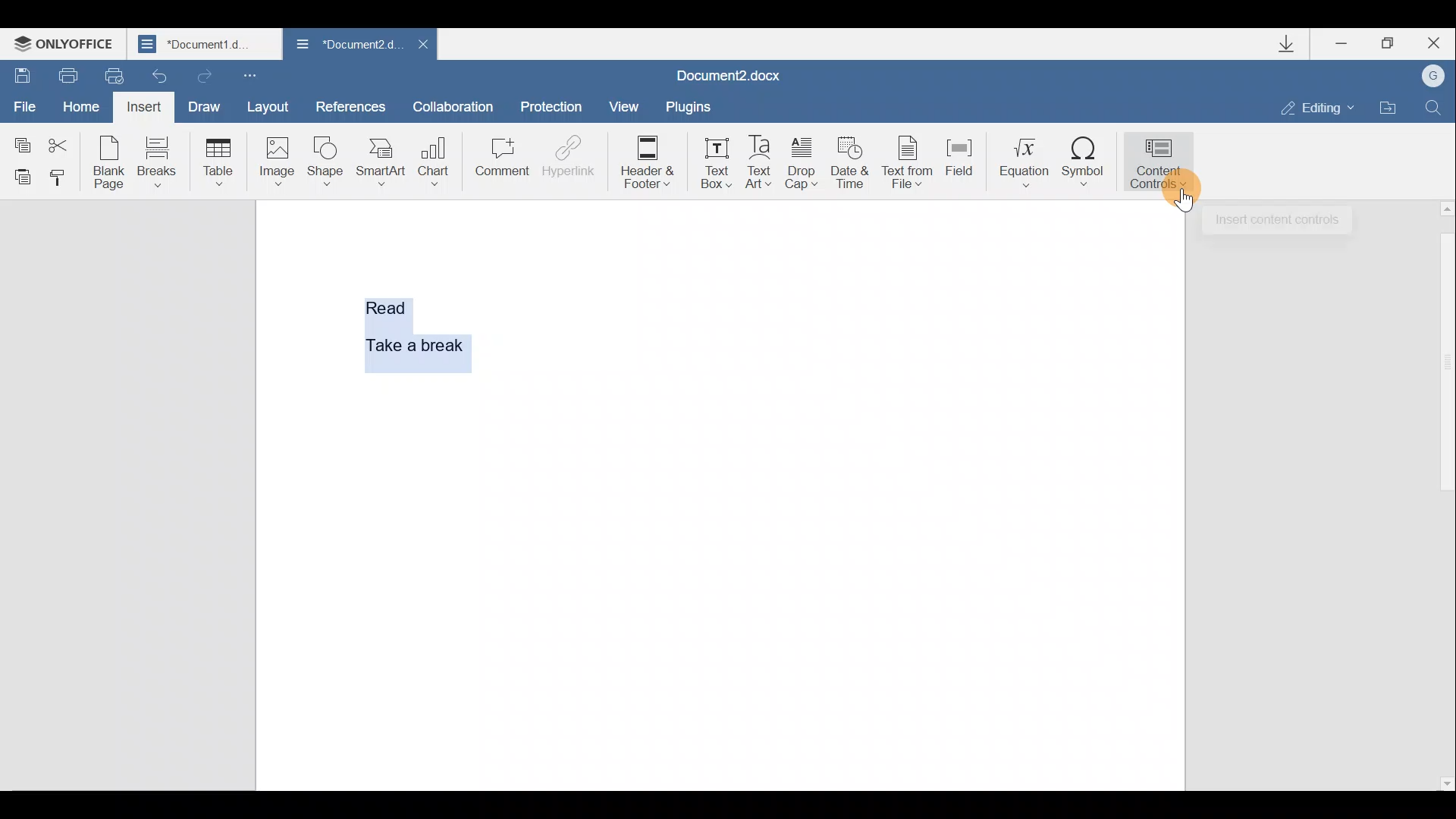 This screenshot has width=1456, height=819. What do you see at coordinates (802, 165) in the screenshot?
I see `Drop cap` at bounding box center [802, 165].